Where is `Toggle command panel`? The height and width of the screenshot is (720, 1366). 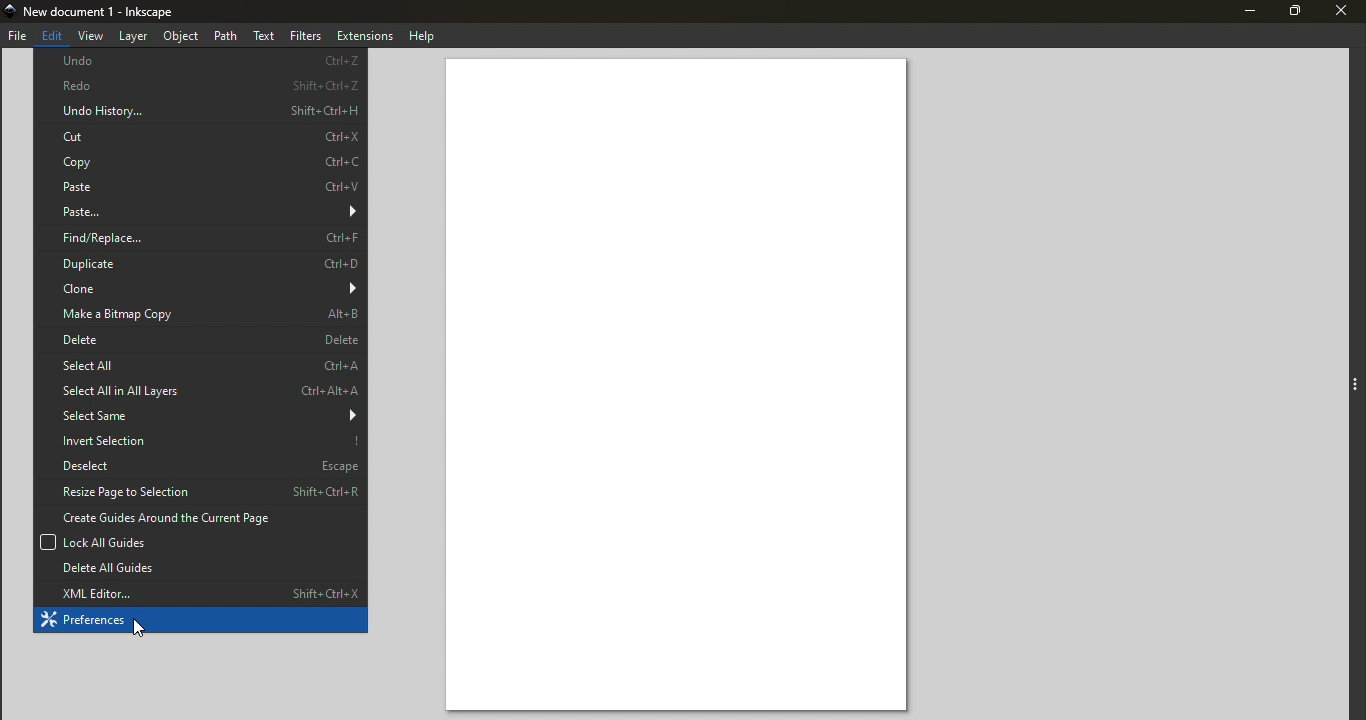 Toggle command panel is located at coordinates (1355, 386).